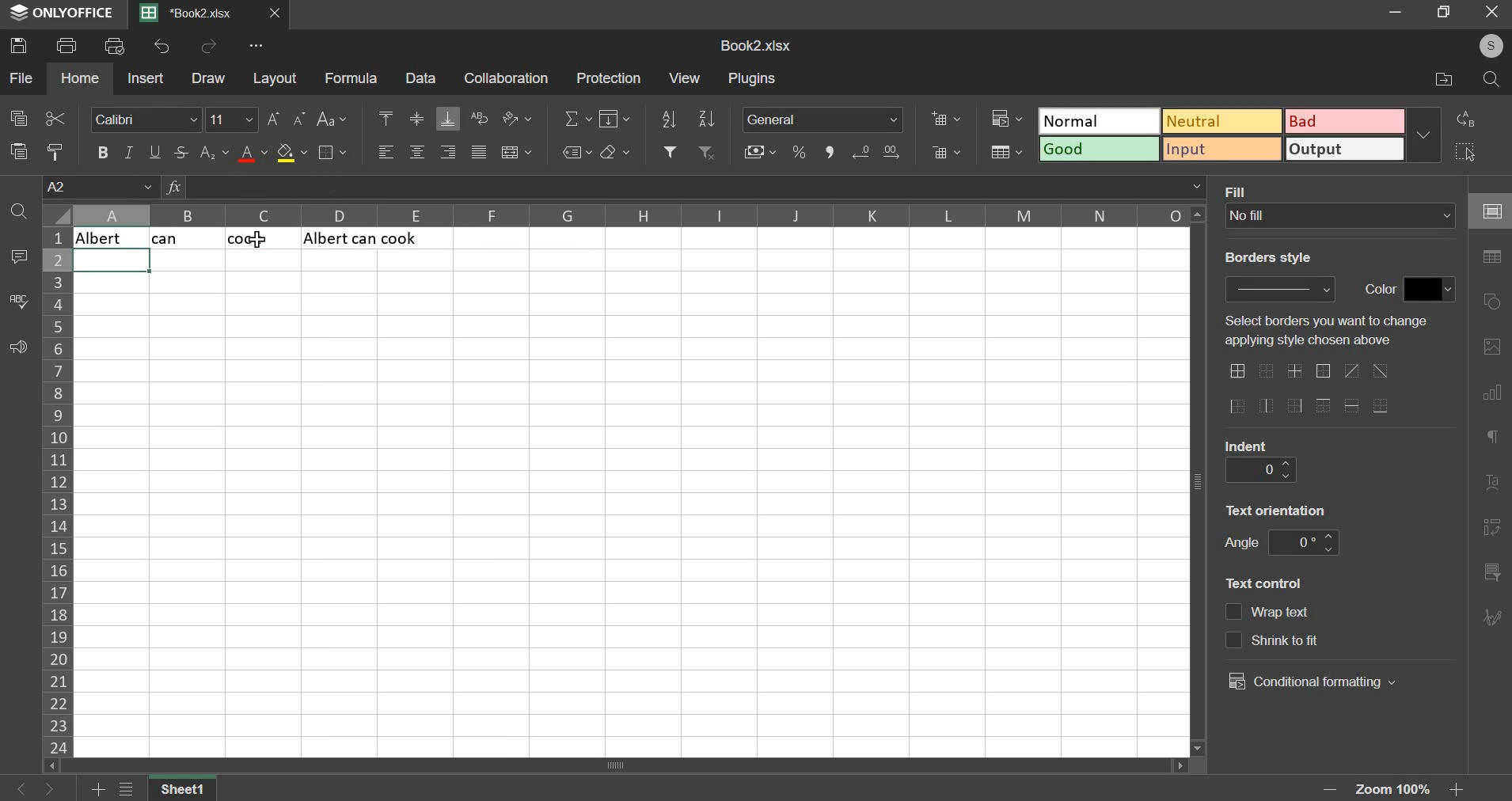 This screenshot has height=801, width=1512. What do you see at coordinates (288, 119) in the screenshot?
I see `font size change` at bounding box center [288, 119].